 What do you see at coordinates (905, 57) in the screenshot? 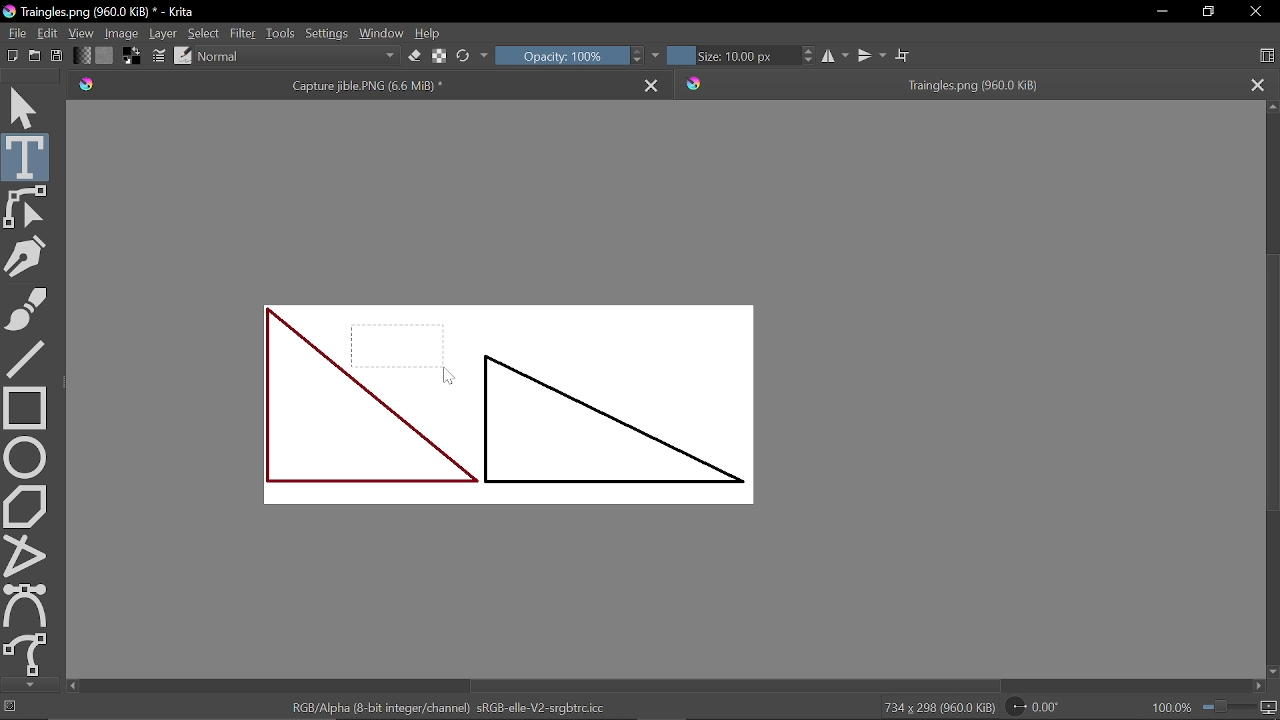
I see `Wrap around mode` at bounding box center [905, 57].